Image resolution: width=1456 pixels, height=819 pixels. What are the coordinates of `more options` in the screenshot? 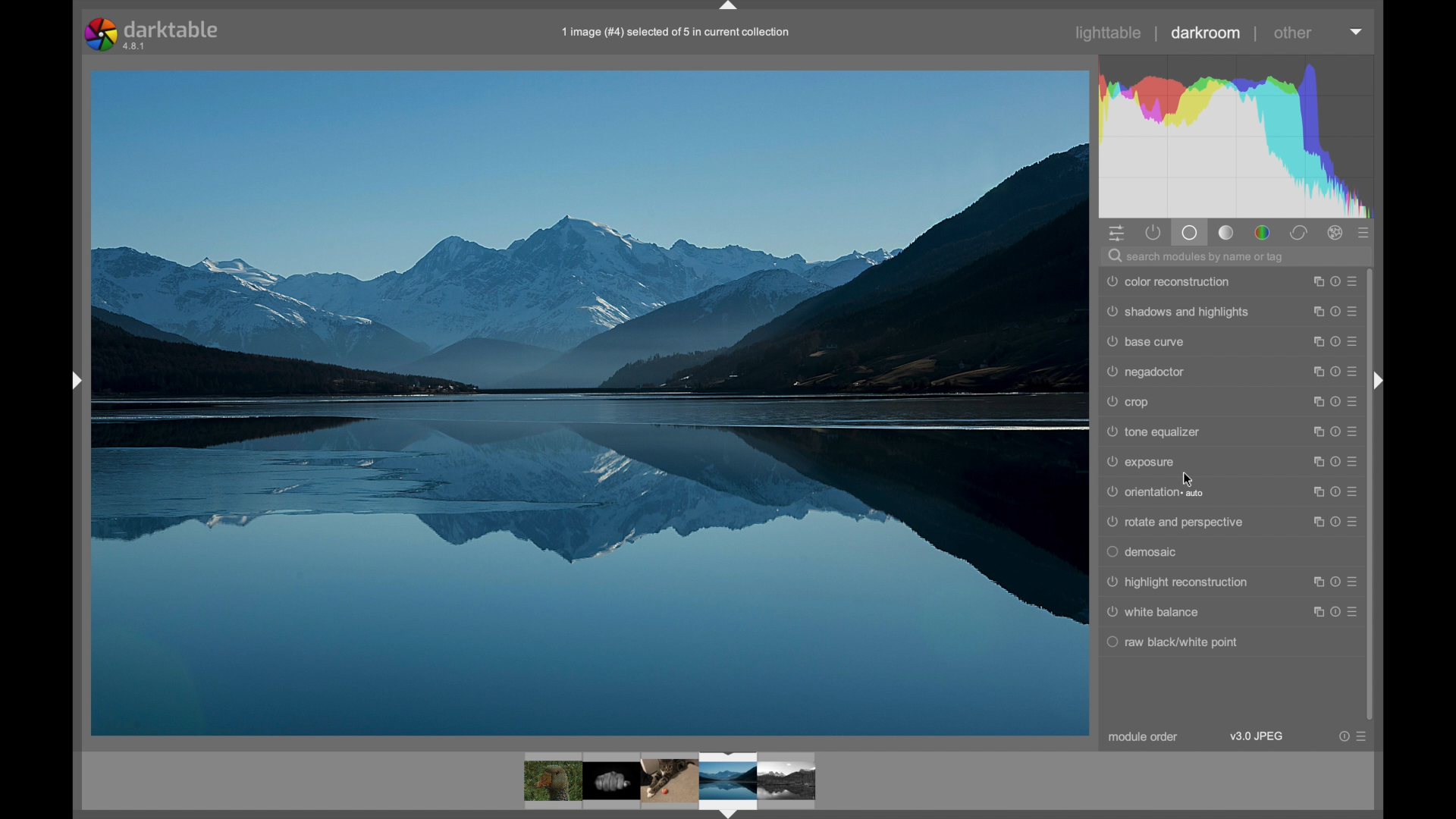 It's located at (1335, 522).